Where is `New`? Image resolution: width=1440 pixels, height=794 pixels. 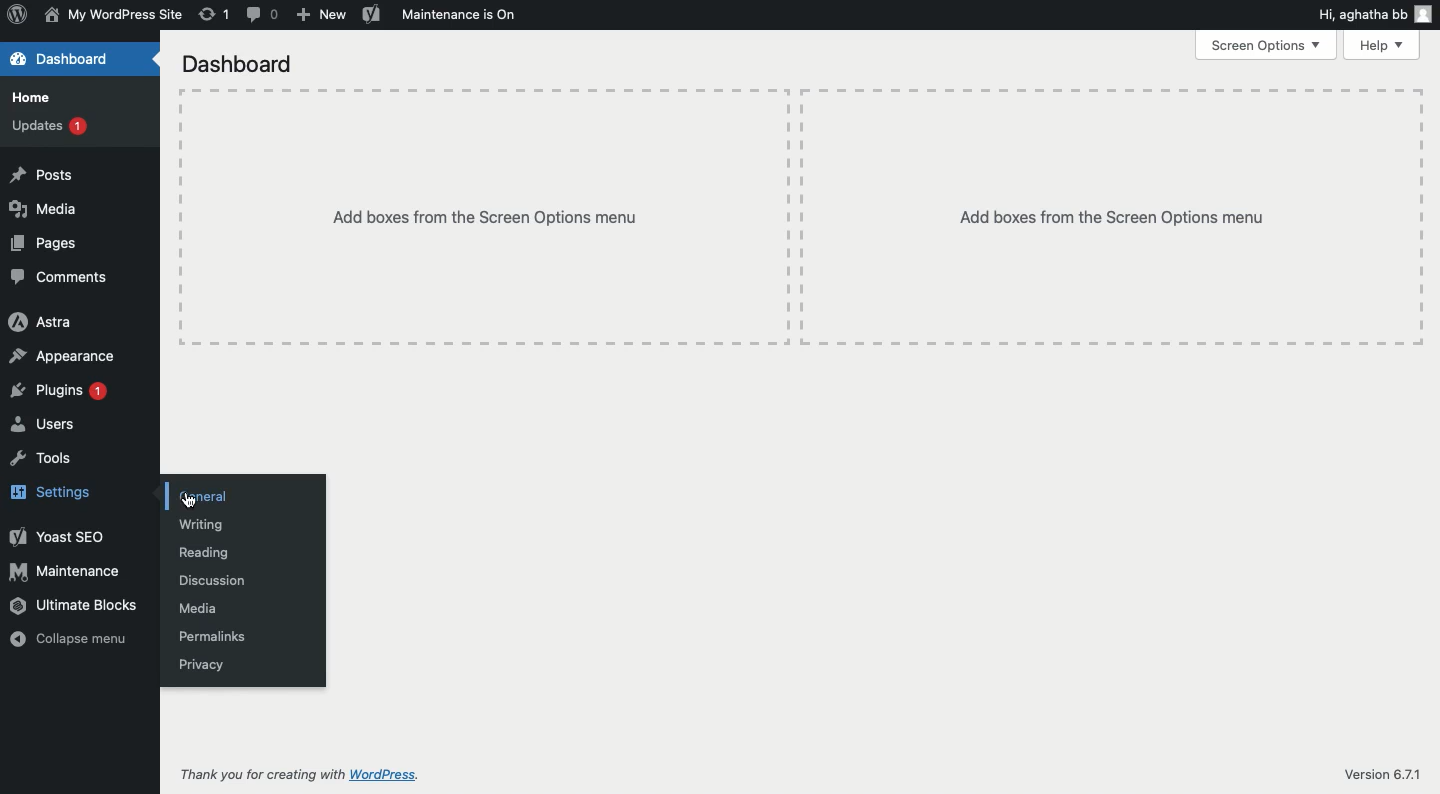
New is located at coordinates (319, 15).